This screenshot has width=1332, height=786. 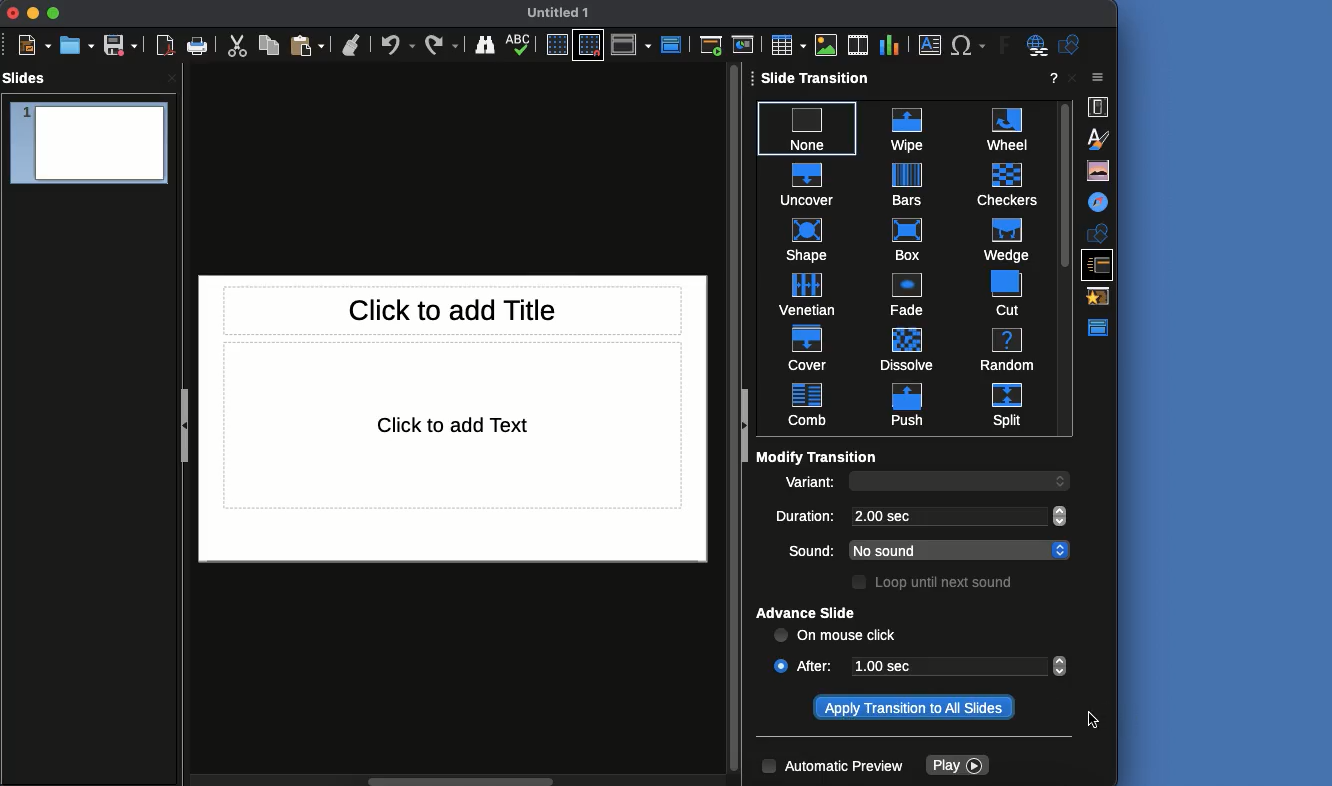 I want to click on Master view, so click(x=673, y=43).